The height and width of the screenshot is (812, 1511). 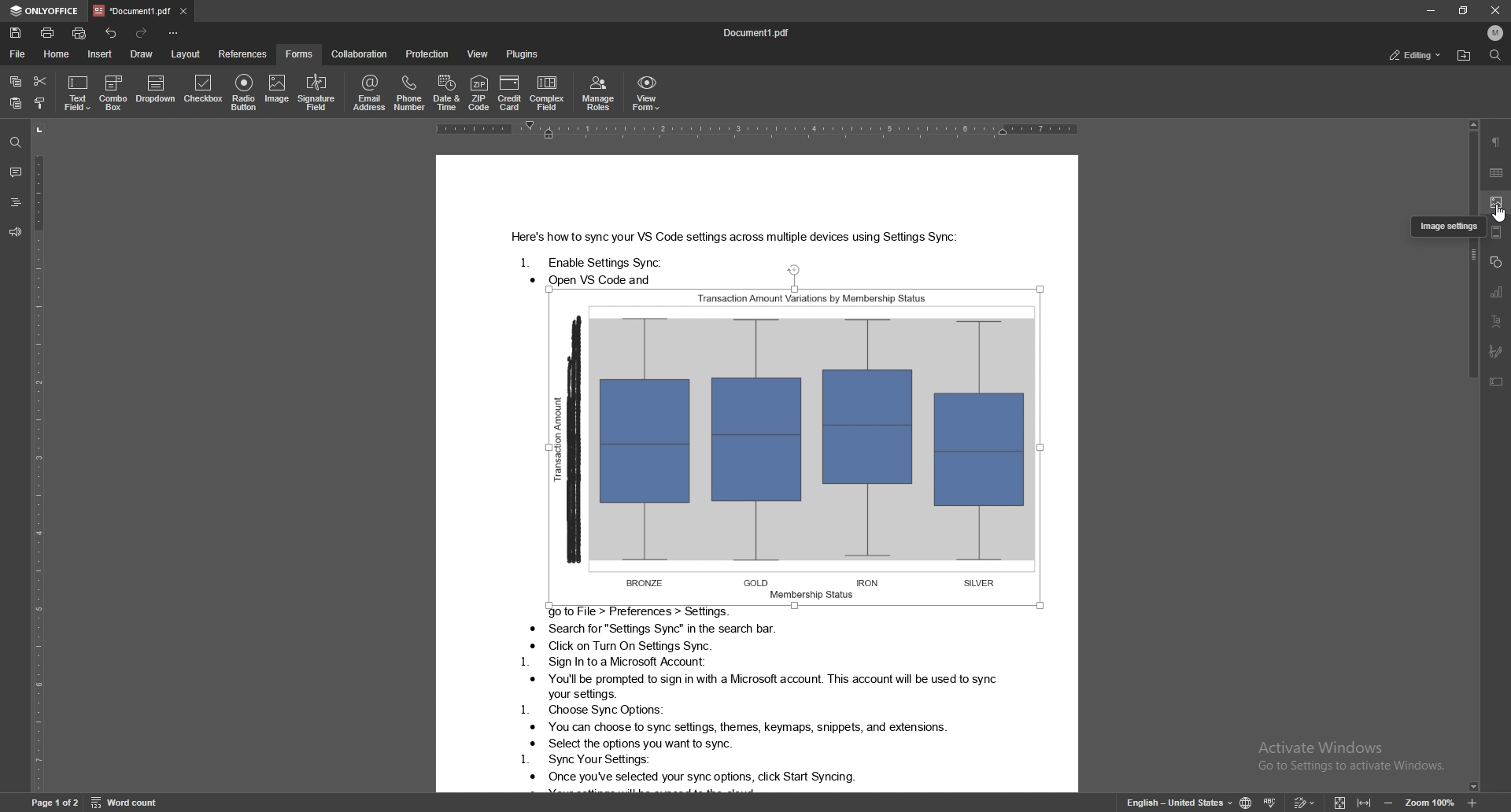 What do you see at coordinates (100, 54) in the screenshot?
I see `insert` at bounding box center [100, 54].